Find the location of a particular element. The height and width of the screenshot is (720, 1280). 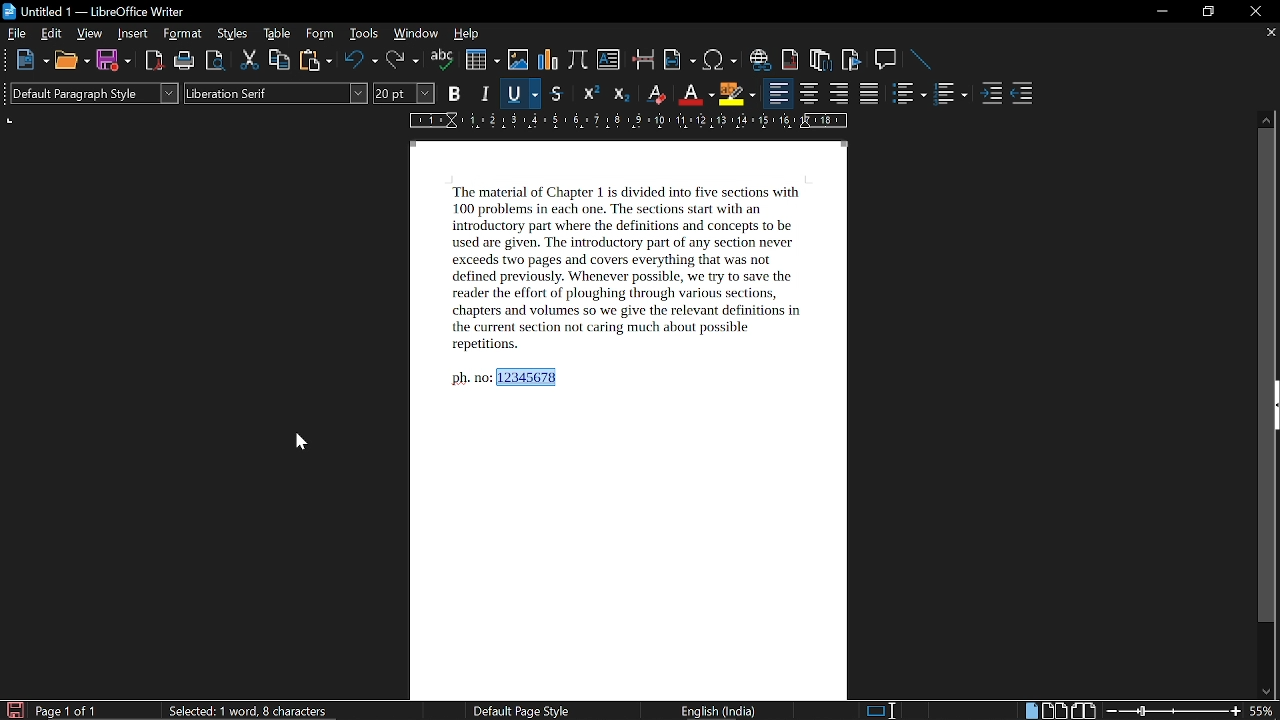

12345678 is located at coordinates (528, 377).